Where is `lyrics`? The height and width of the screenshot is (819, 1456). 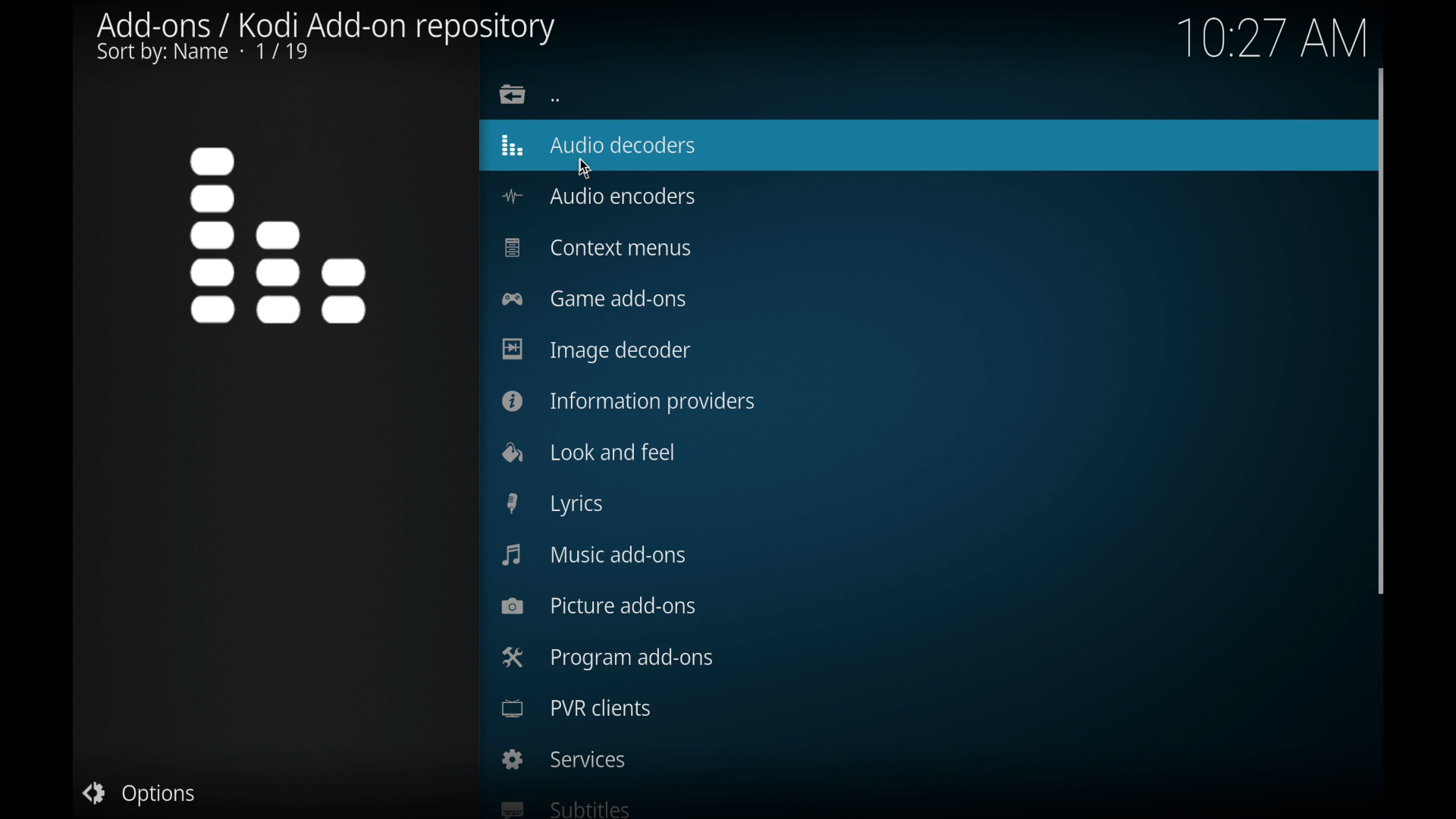
lyrics is located at coordinates (555, 504).